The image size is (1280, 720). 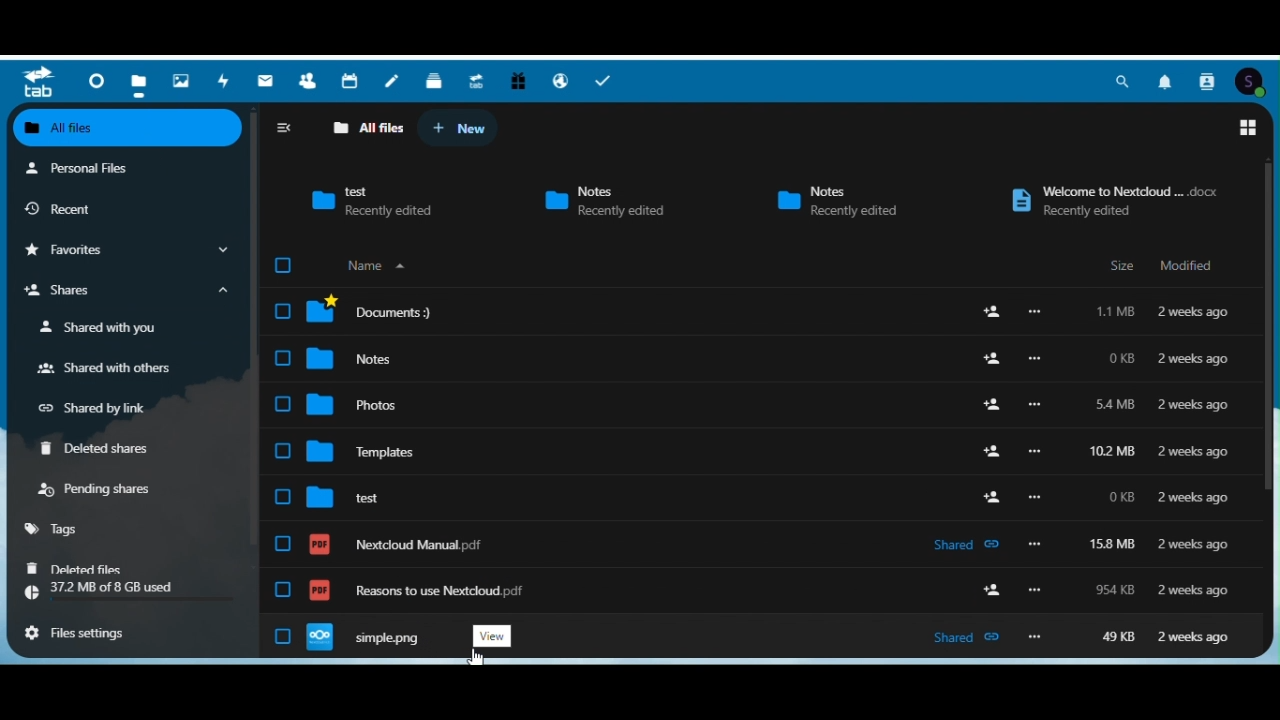 What do you see at coordinates (100, 404) in the screenshot?
I see `Shared by Link` at bounding box center [100, 404].